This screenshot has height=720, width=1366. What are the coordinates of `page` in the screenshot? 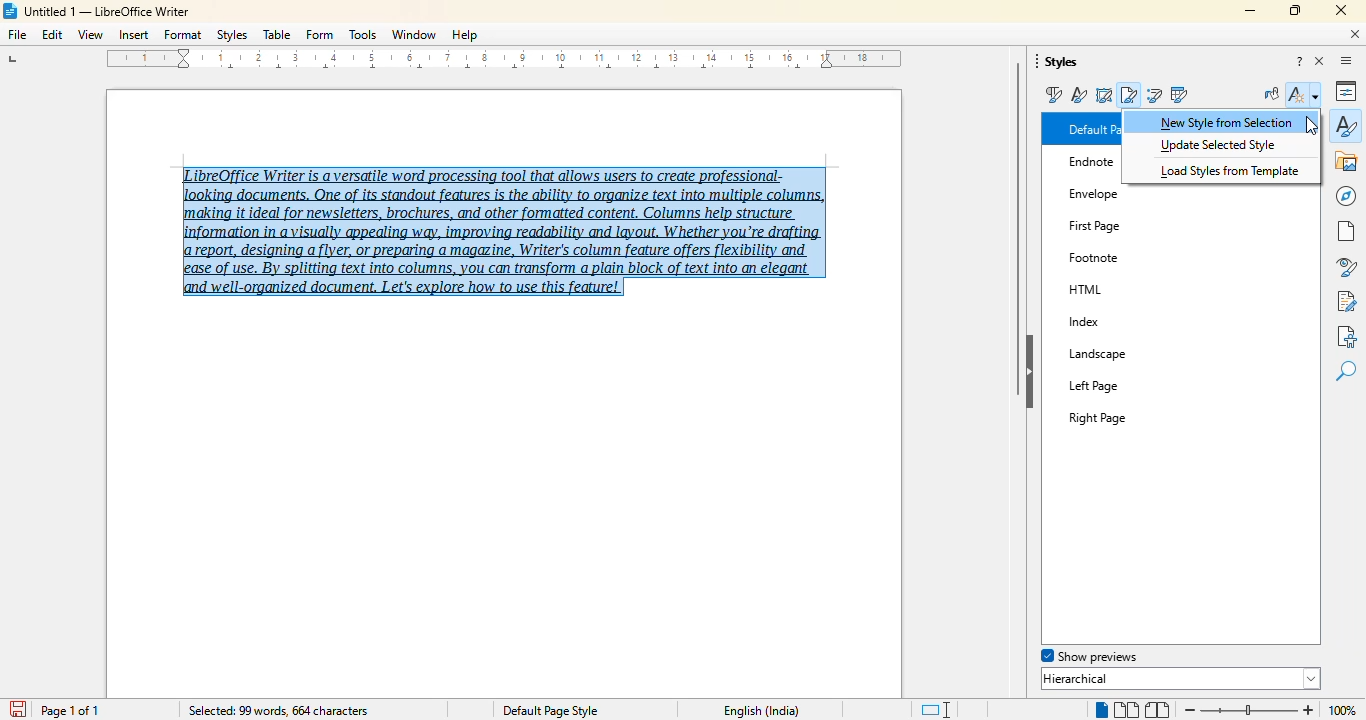 It's located at (1346, 231).